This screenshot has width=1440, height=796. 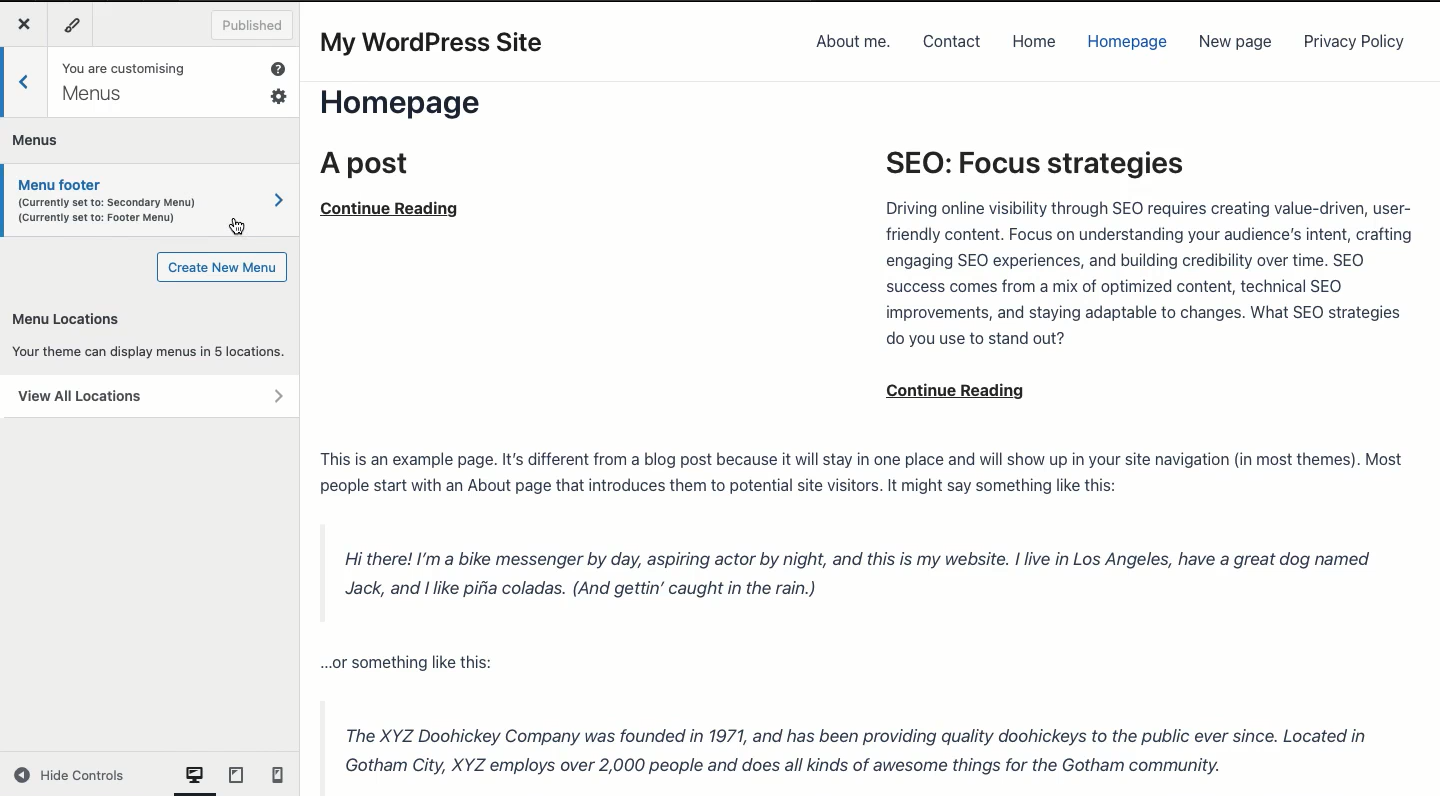 What do you see at coordinates (193, 779) in the screenshot?
I see `computer View` at bounding box center [193, 779].